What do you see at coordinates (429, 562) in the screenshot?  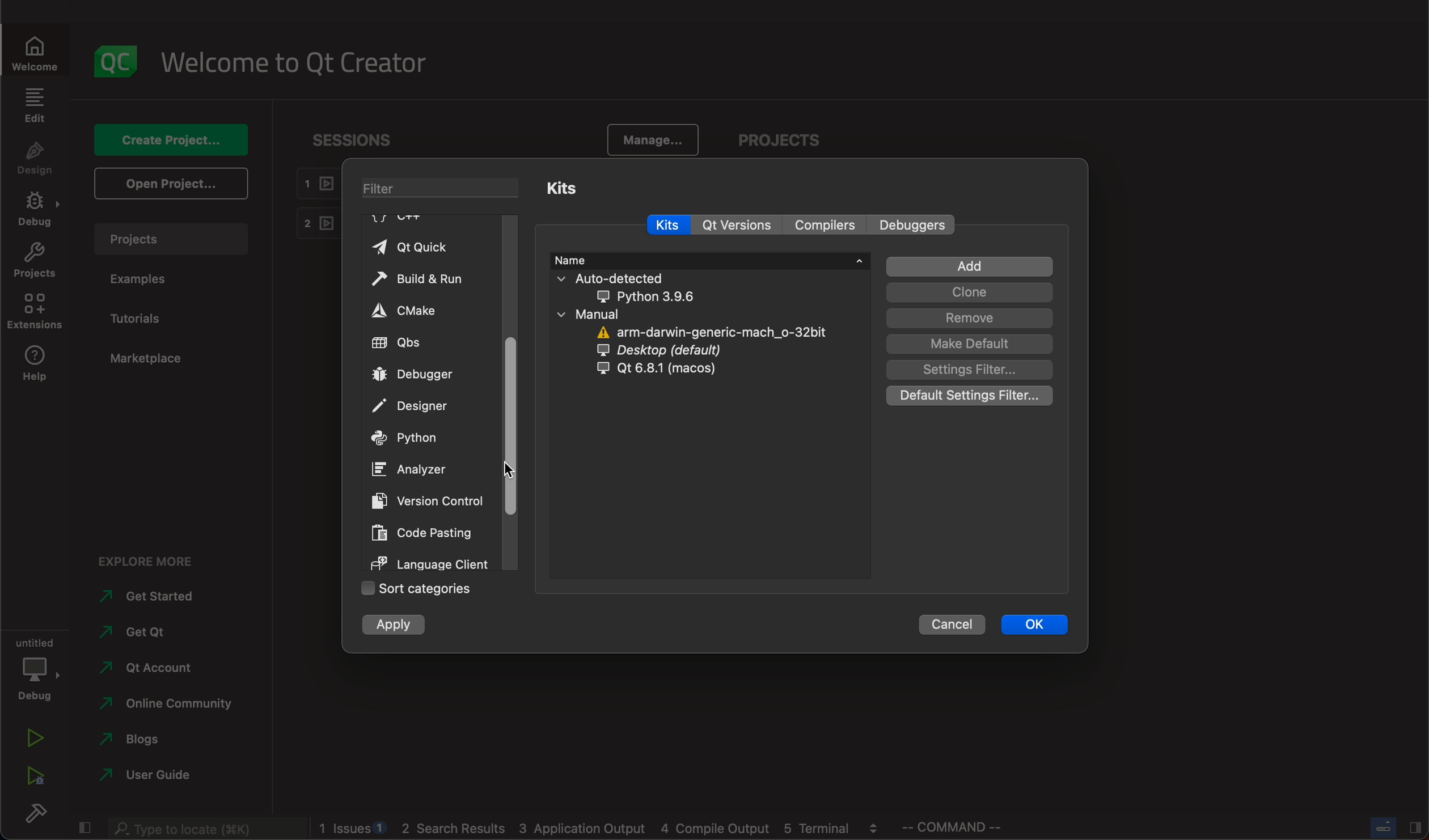 I see `language` at bounding box center [429, 562].